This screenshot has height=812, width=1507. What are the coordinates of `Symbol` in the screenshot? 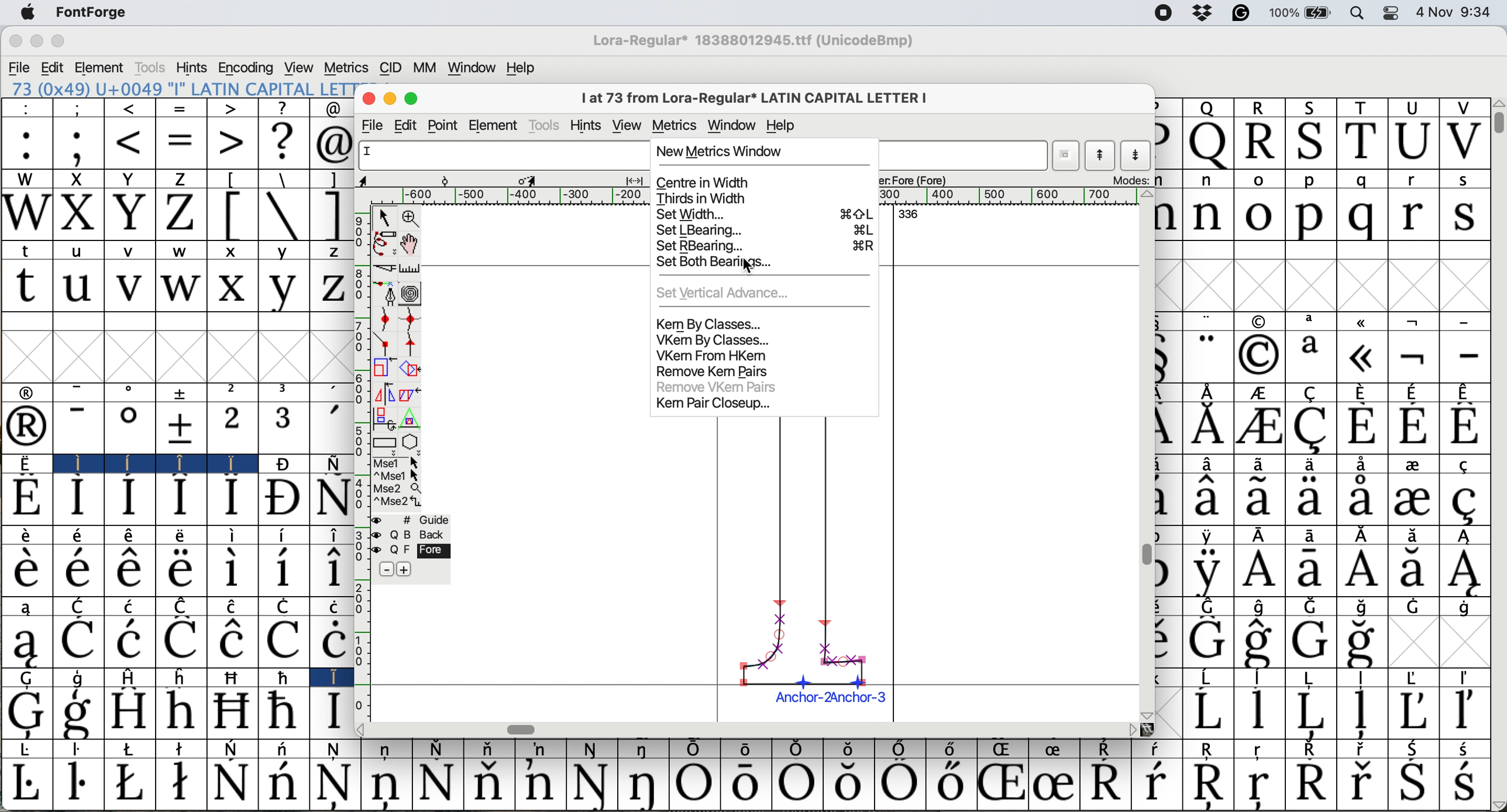 It's located at (181, 785).